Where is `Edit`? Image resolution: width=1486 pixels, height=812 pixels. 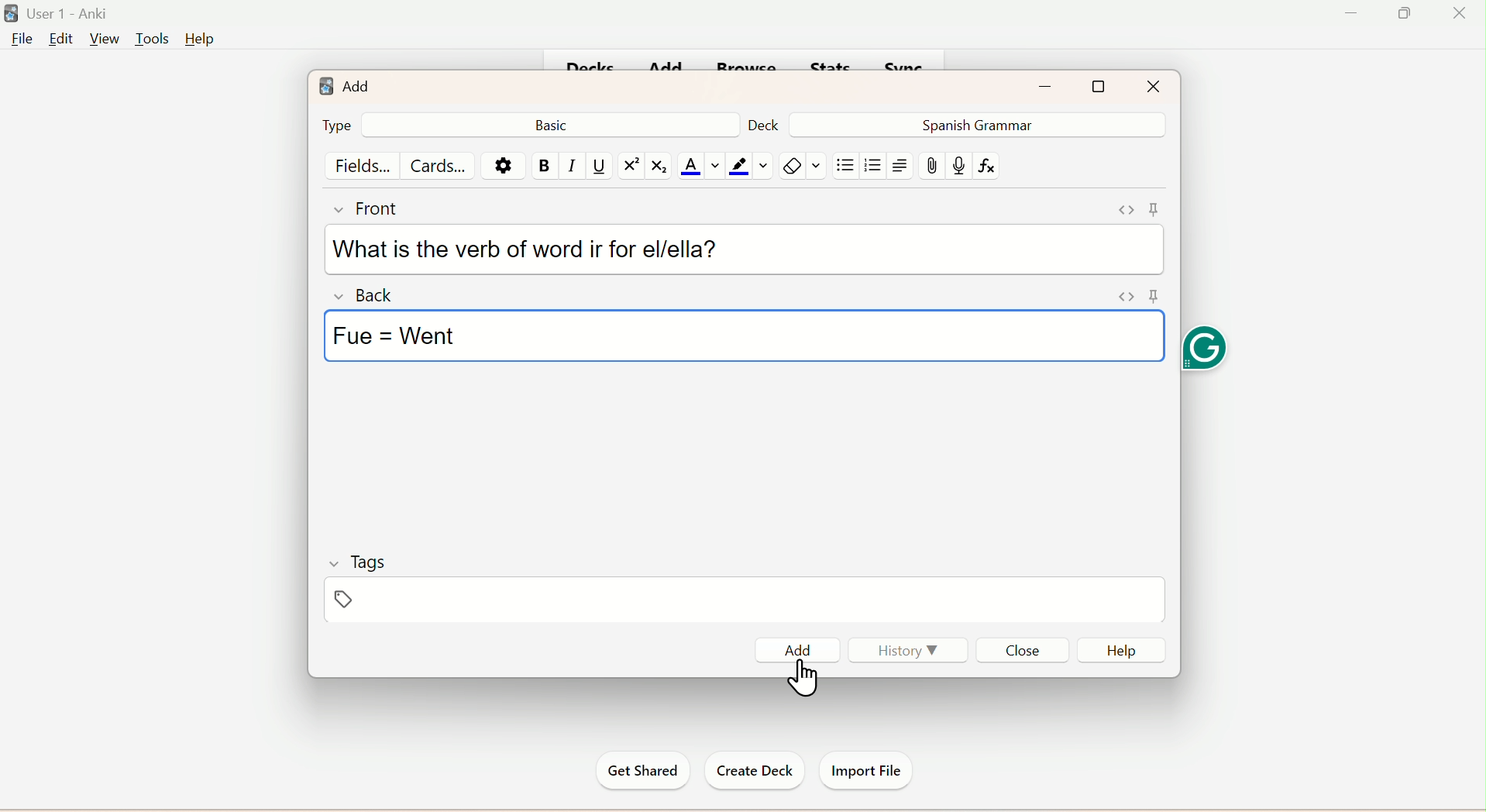
Edit is located at coordinates (60, 40).